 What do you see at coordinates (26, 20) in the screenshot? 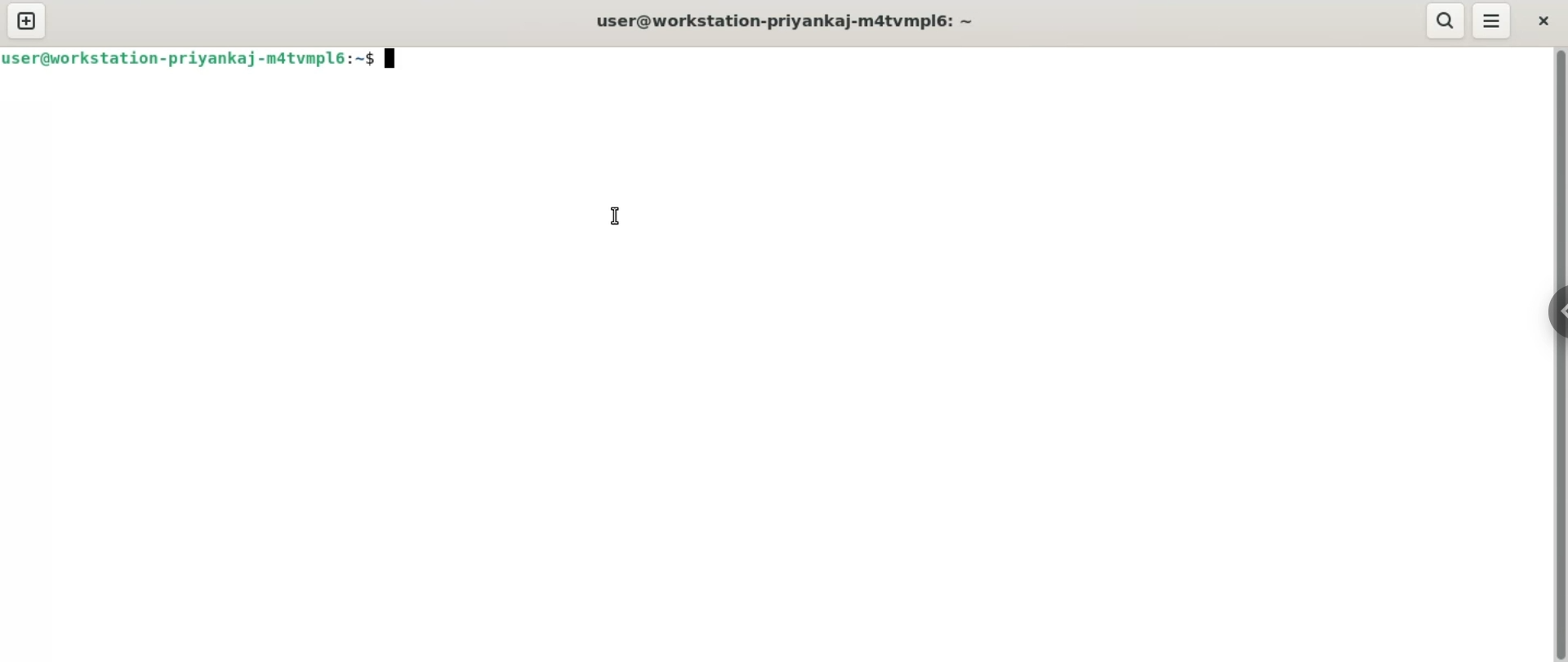
I see `new tab` at bounding box center [26, 20].